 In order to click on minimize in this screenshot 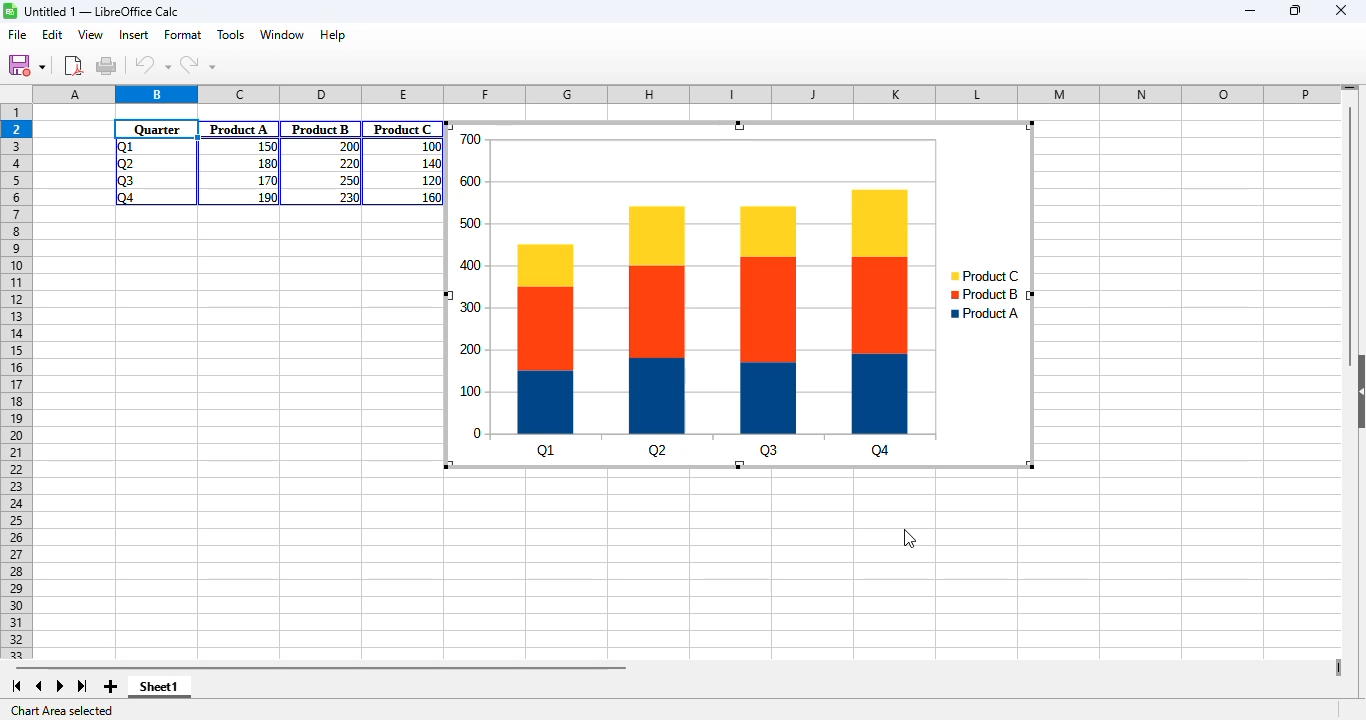, I will do `click(1251, 12)`.